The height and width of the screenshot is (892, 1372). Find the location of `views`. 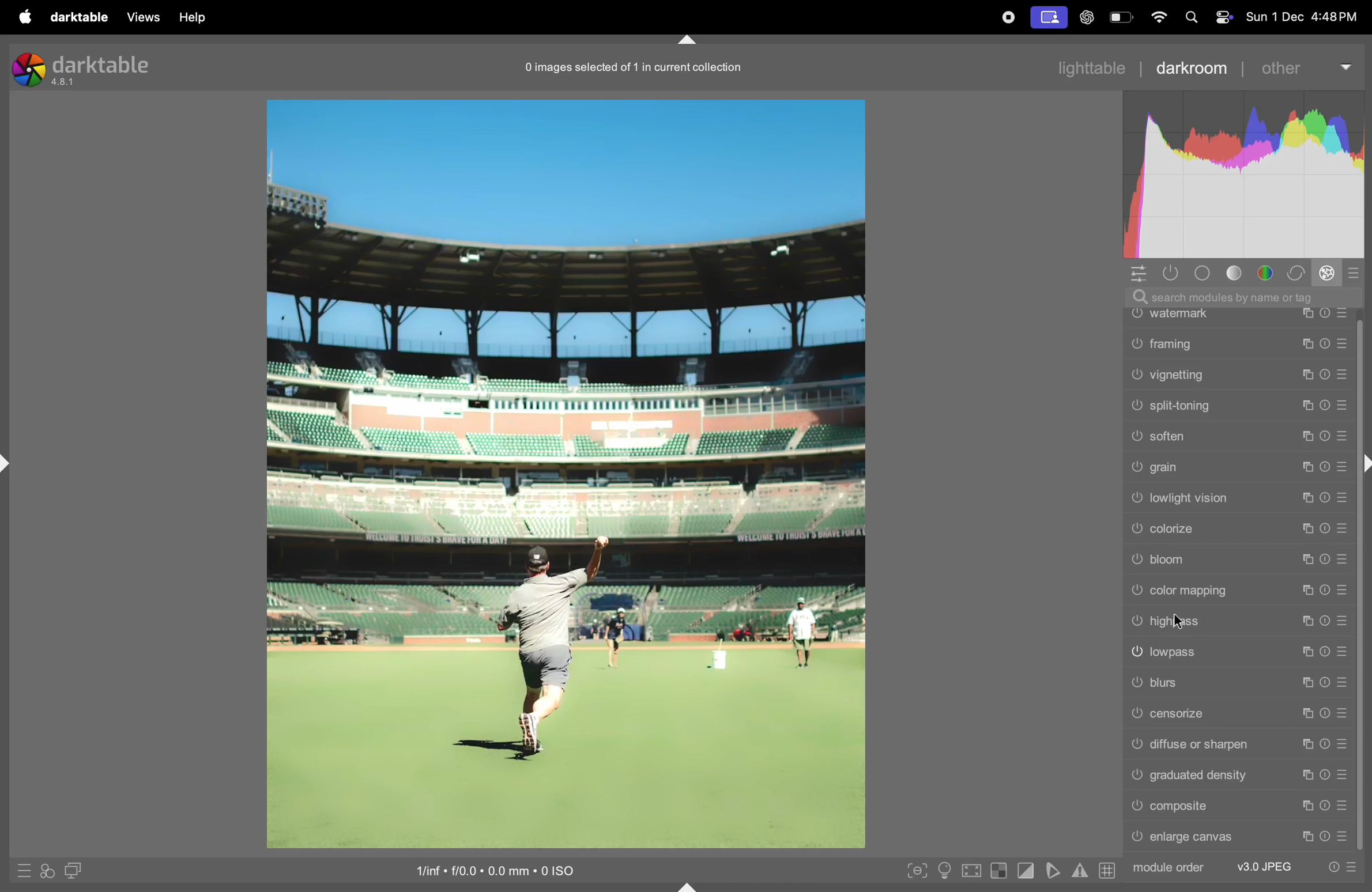

views is located at coordinates (142, 17).